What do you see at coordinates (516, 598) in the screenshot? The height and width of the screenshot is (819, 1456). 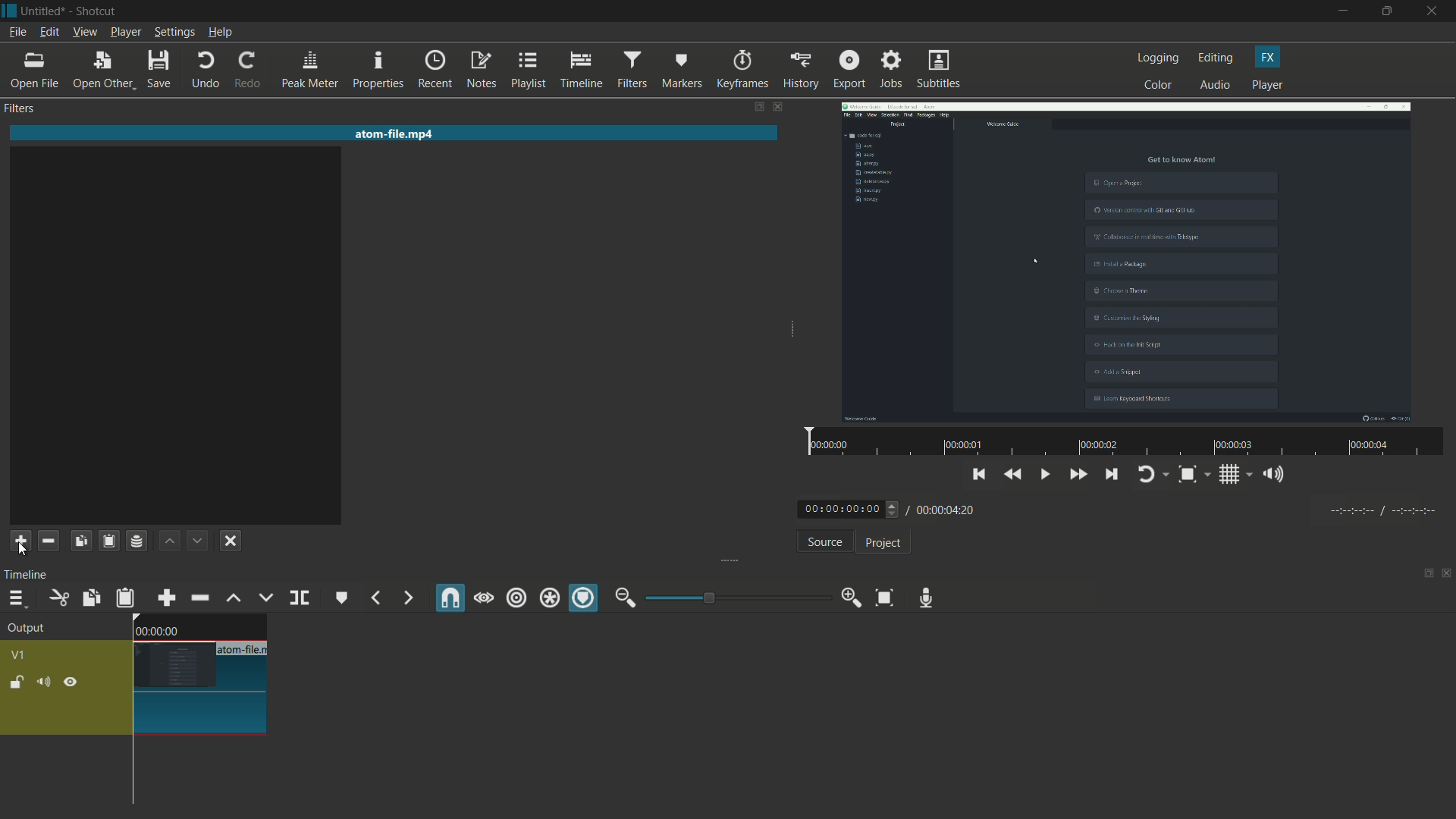 I see `ripple` at bounding box center [516, 598].